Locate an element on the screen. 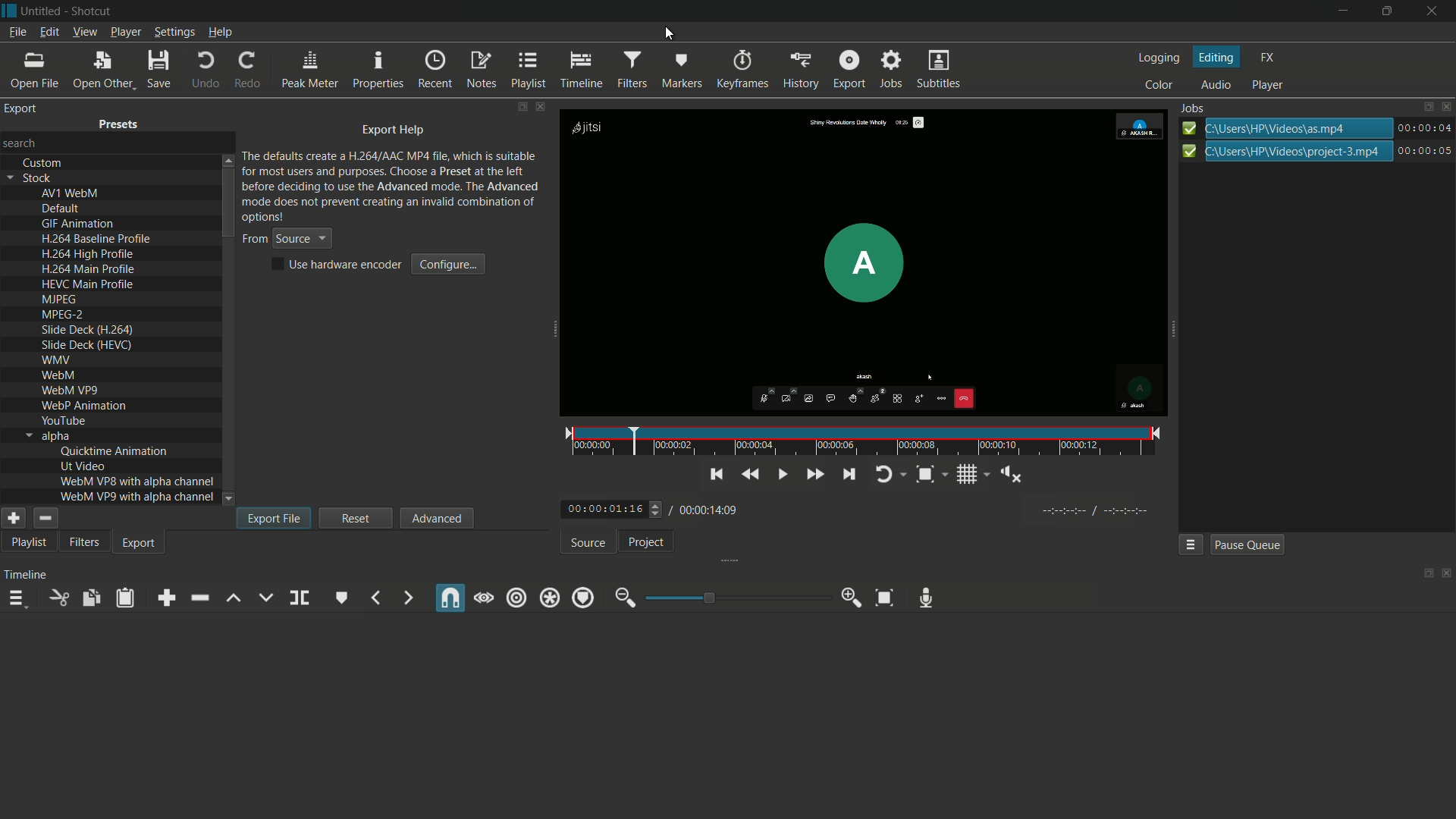 This screenshot has height=819, width=1456. advanced is located at coordinates (438, 517).